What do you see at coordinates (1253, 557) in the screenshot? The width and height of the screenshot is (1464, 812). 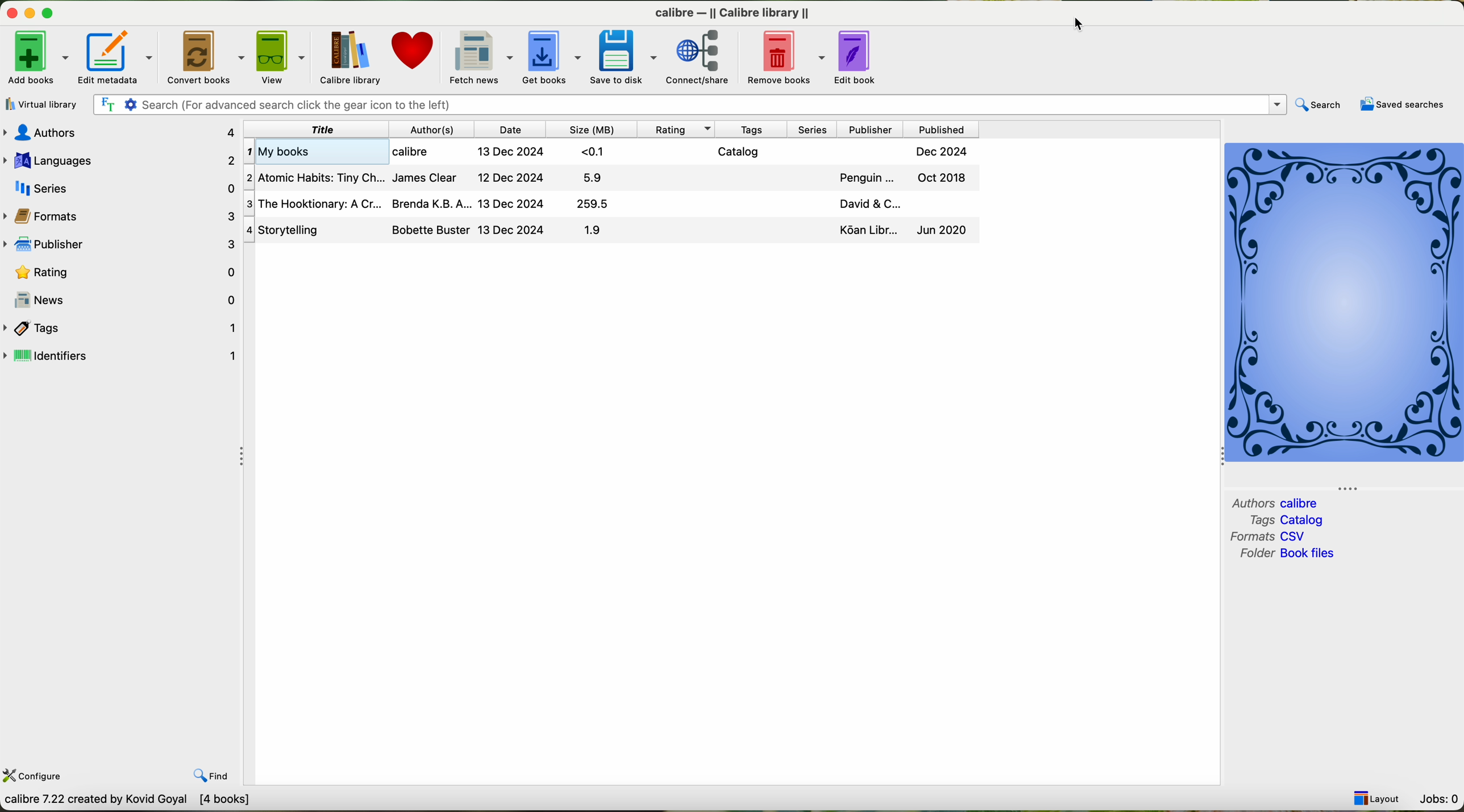 I see `folder book files` at bounding box center [1253, 557].